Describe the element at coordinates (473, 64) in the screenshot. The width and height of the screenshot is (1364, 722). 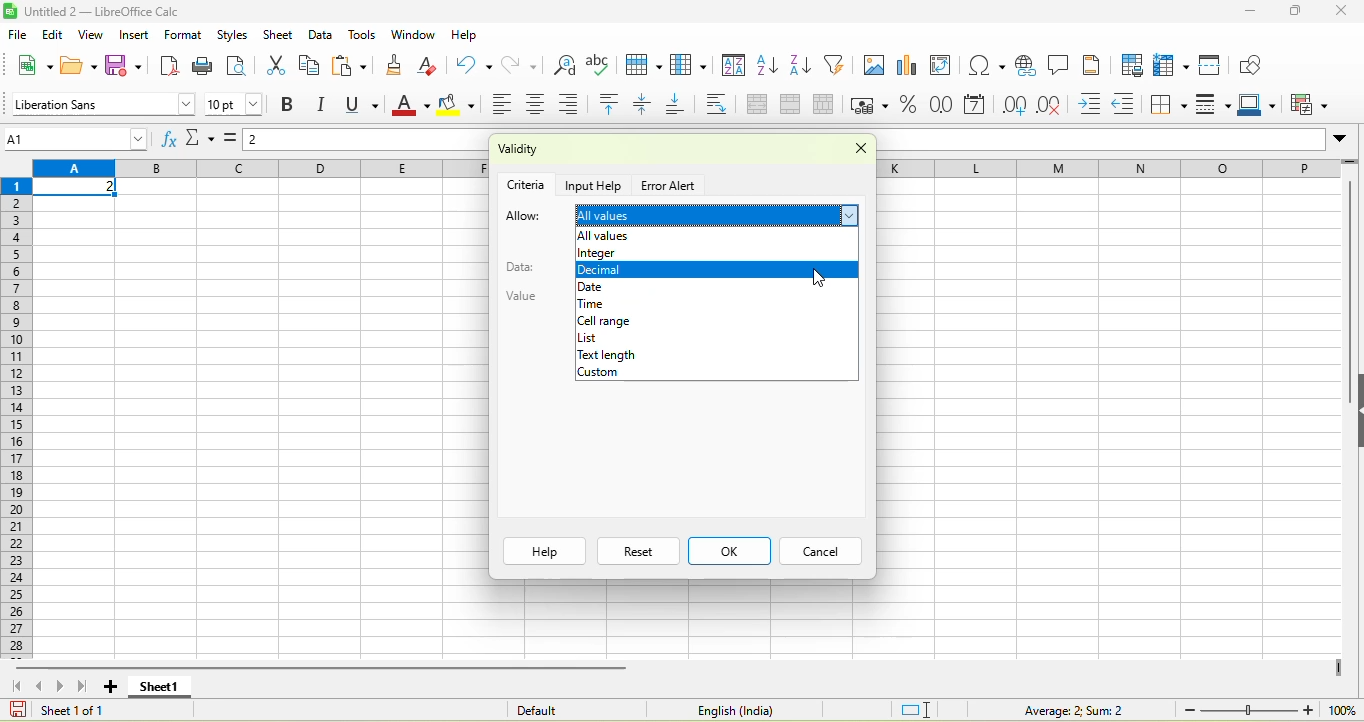
I see `undo` at that location.